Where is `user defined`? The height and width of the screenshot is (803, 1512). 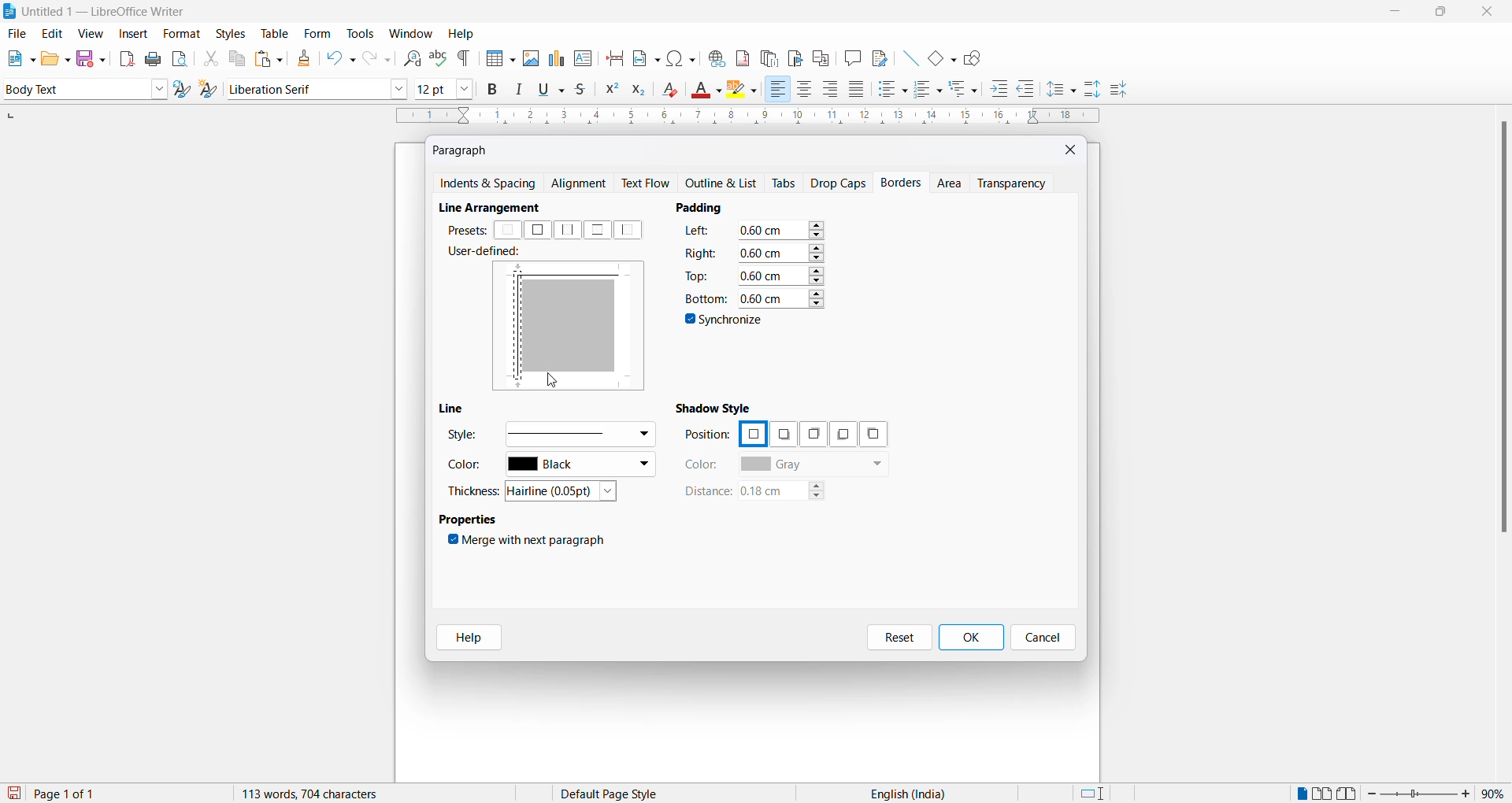
user defined is located at coordinates (489, 253).